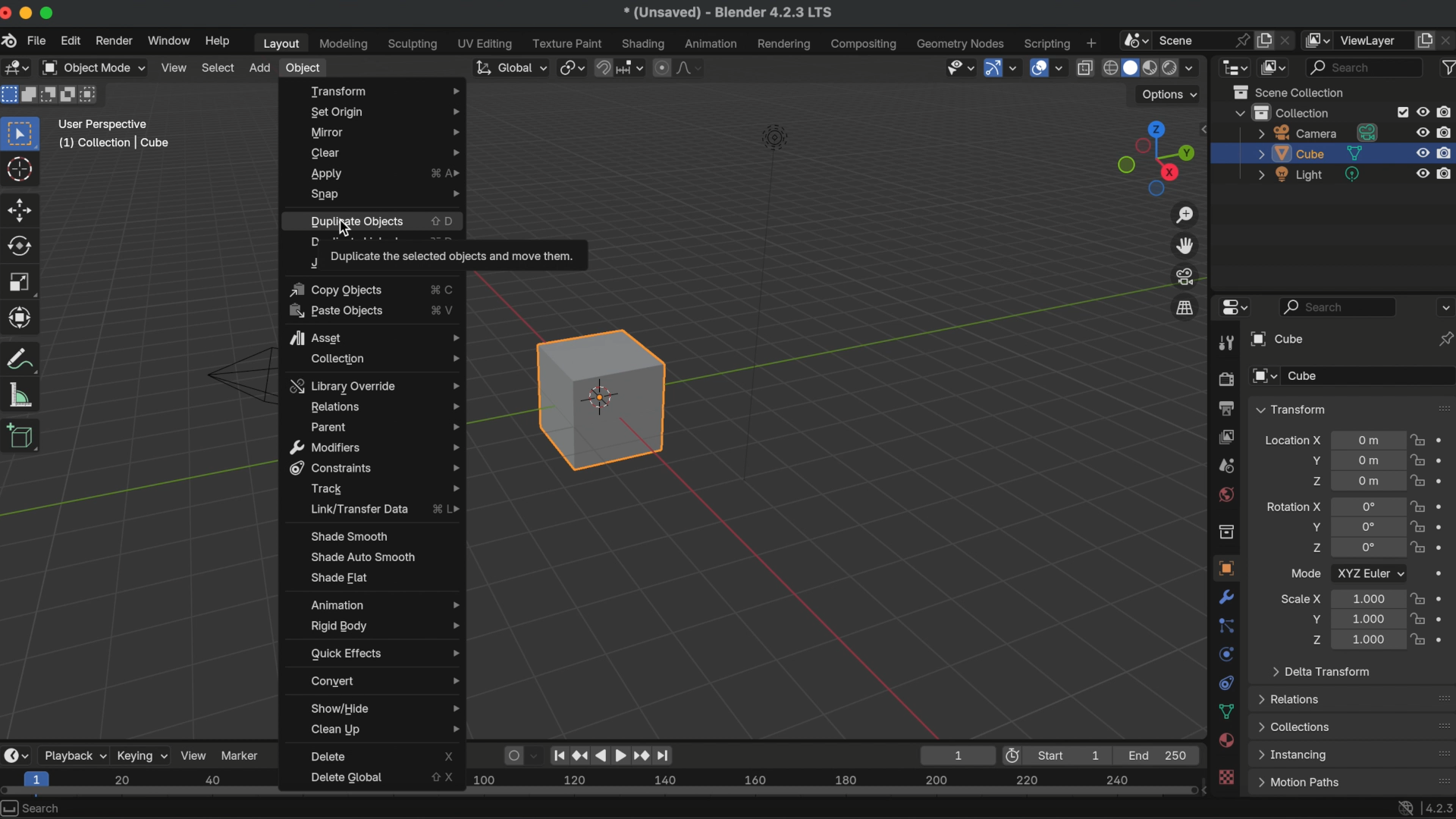 Image resolution: width=1456 pixels, height=819 pixels. I want to click on delta transform, so click(1321, 670).